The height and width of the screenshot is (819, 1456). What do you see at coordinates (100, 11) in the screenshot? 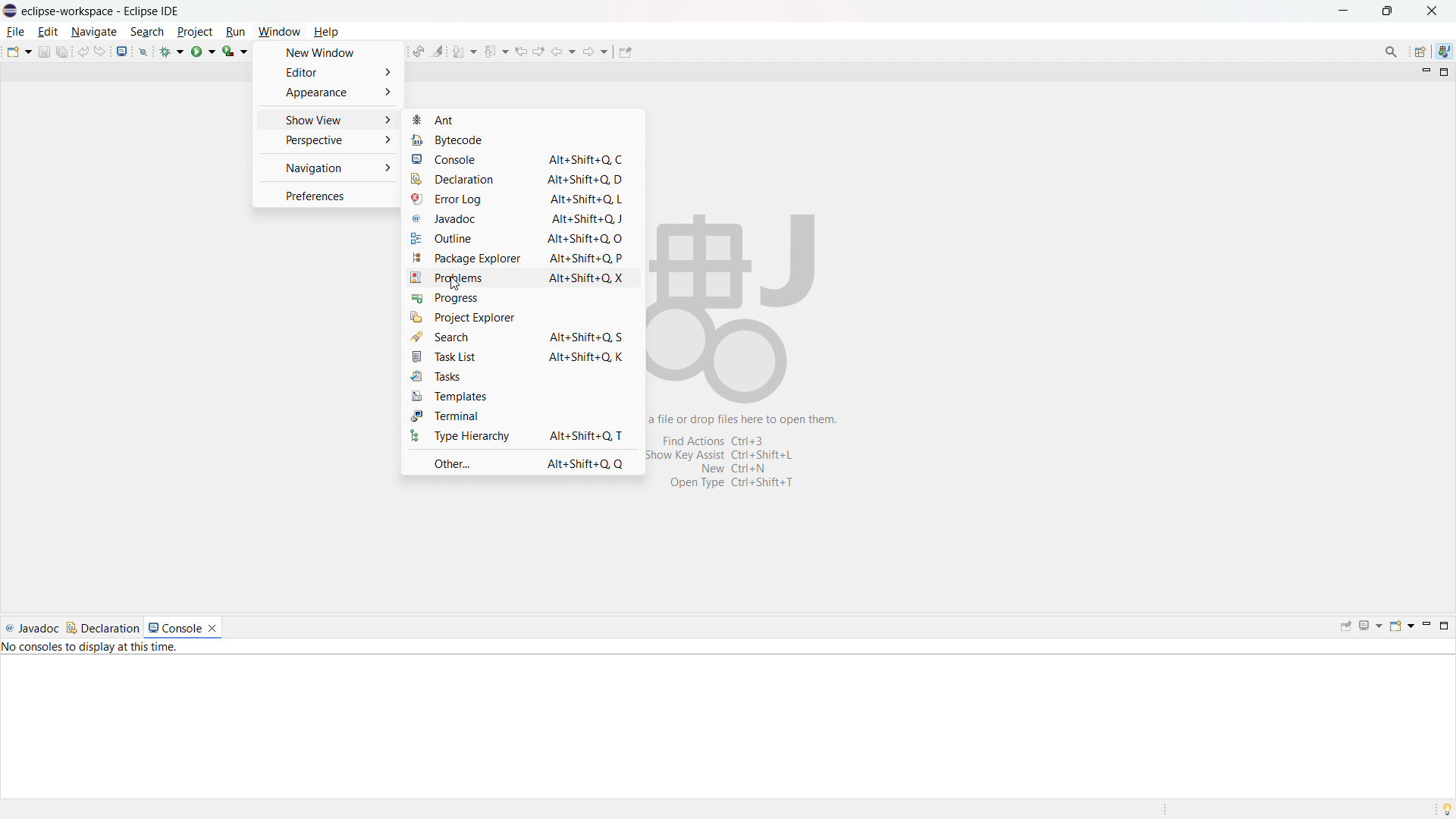
I see `eclipse-workspace-Eclipse IDE` at bounding box center [100, 11].